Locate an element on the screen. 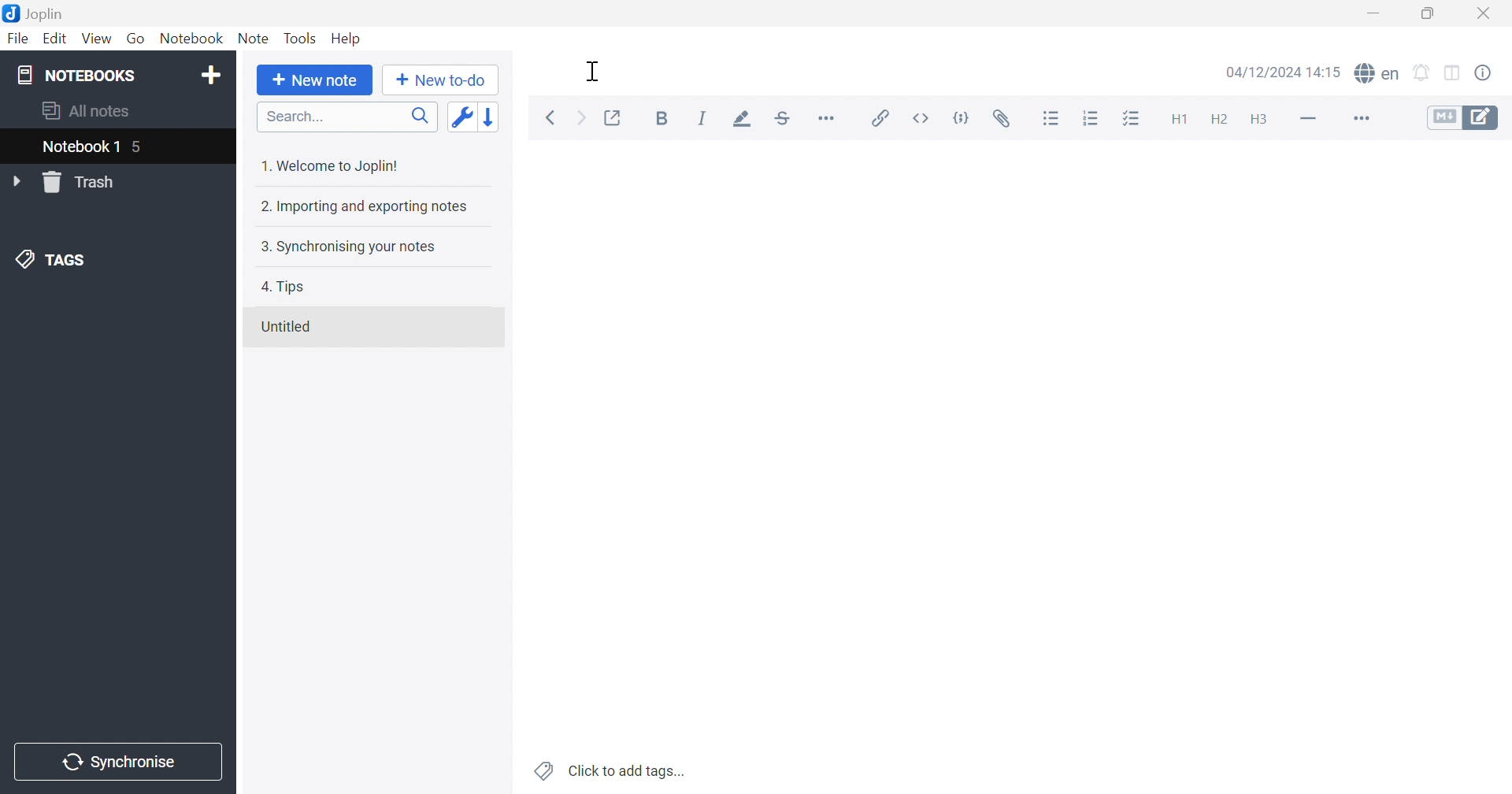 Image resolution: width=1512 pixels, height=794 pixels. Set alarm is located at coordinates (1422, 73).